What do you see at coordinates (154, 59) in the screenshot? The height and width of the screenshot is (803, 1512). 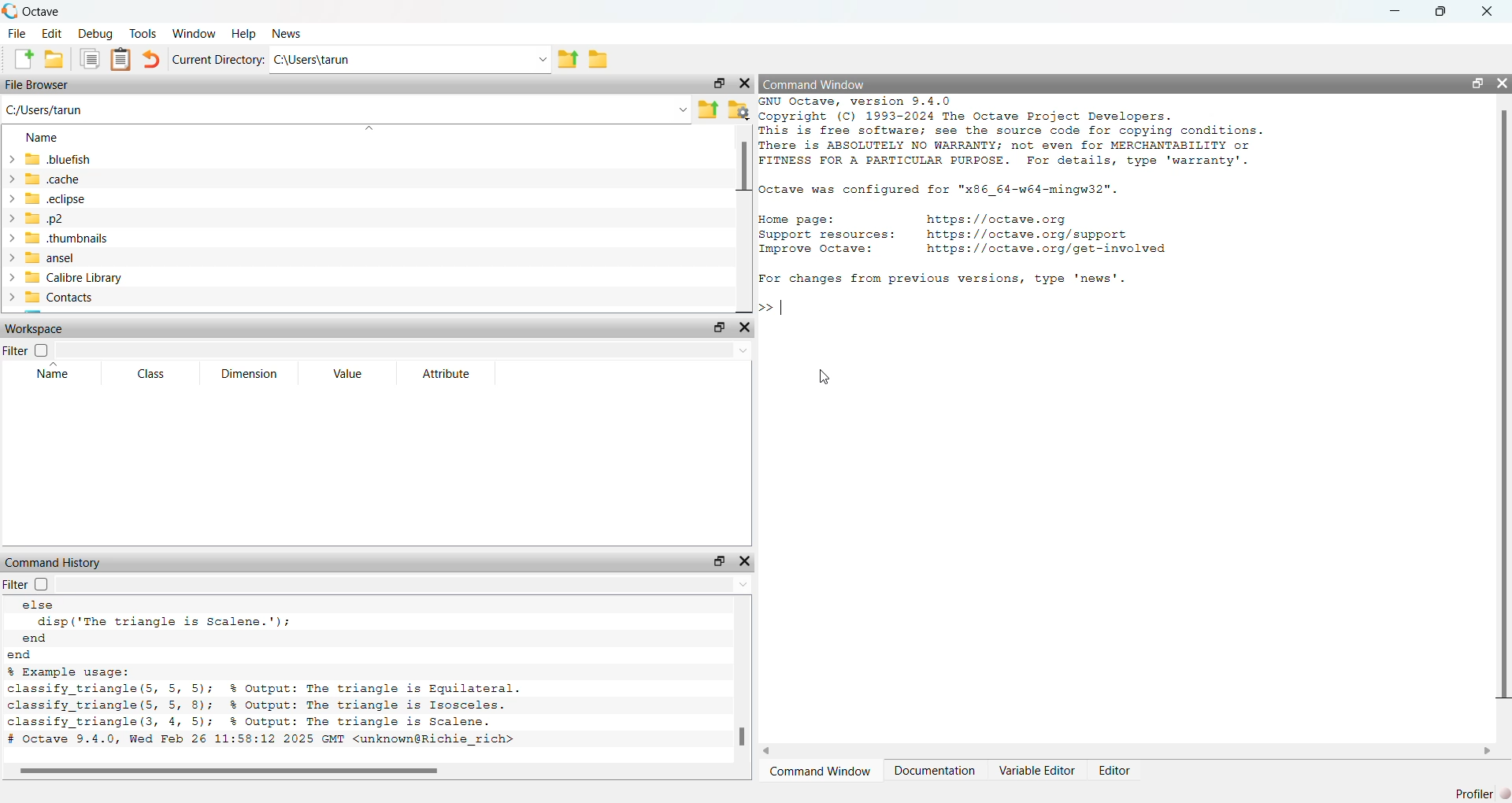 I see `undo` at bounding box center [154, 59].